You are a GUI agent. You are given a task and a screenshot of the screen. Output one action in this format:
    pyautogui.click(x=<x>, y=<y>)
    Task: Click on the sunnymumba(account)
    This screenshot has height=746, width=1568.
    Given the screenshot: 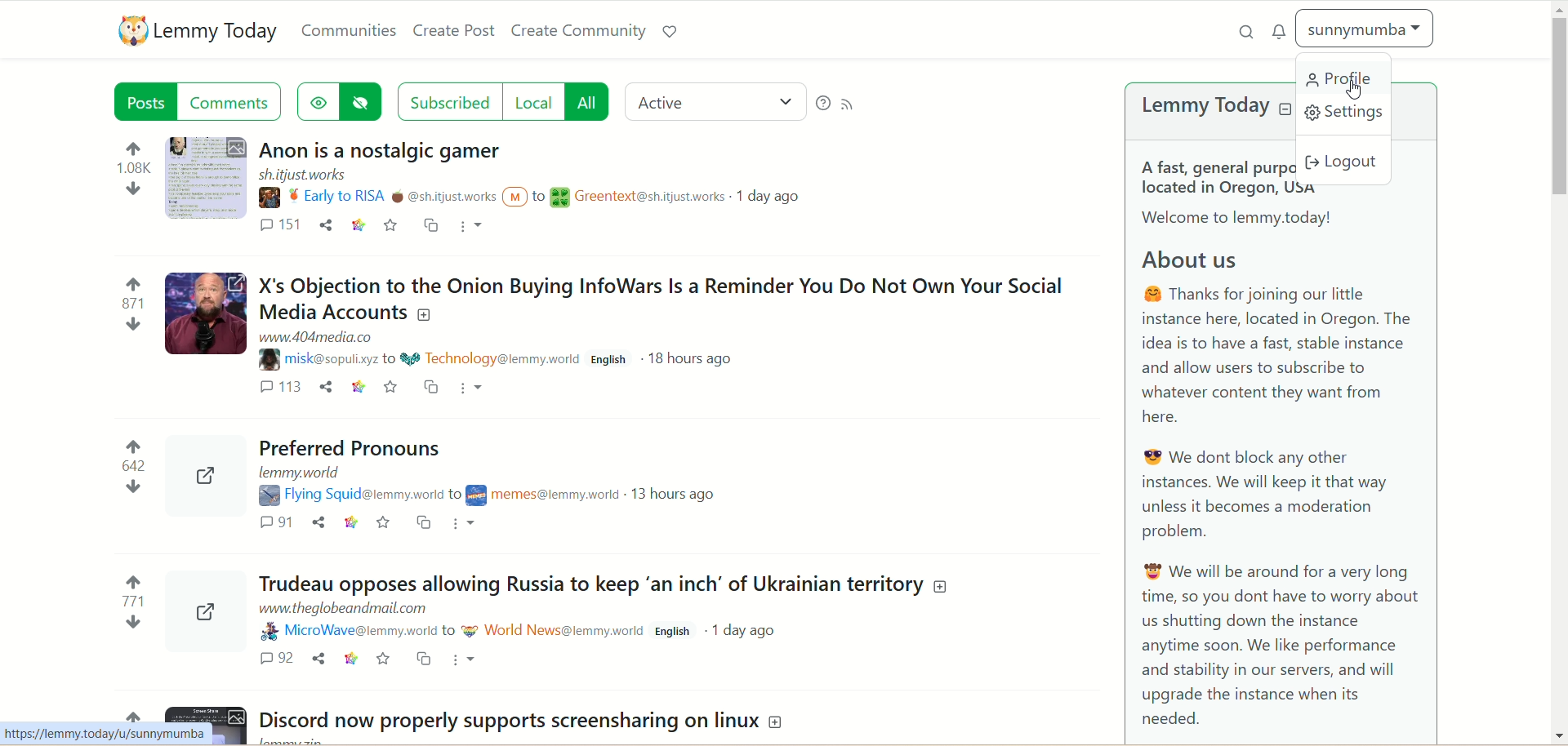 What is the action you would take?
    pyautogui.click(x=1371, y=33)
    